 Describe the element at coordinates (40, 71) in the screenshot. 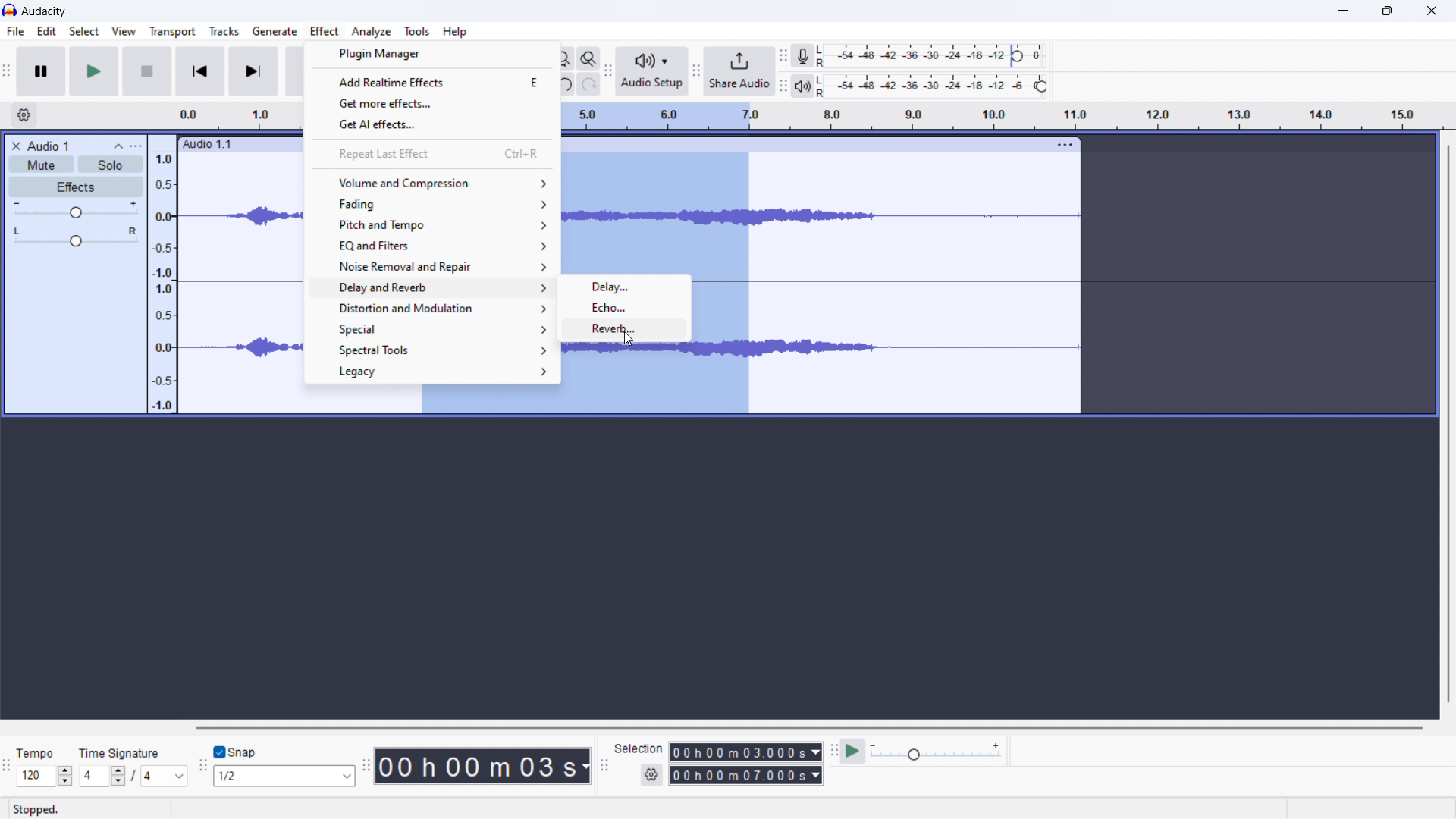

I see `pause` at that location.